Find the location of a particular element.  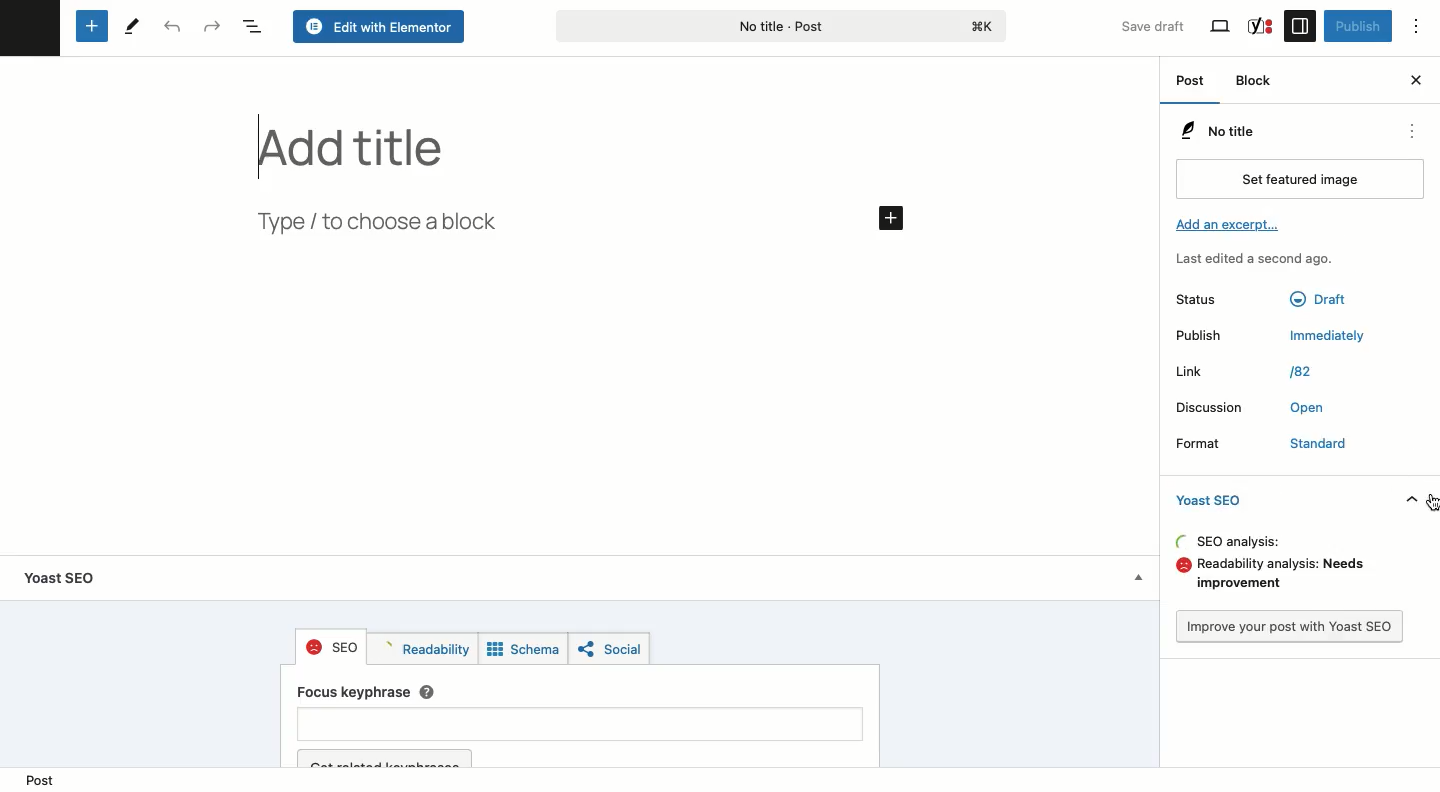

Tools is located at coordinates (133, 25).